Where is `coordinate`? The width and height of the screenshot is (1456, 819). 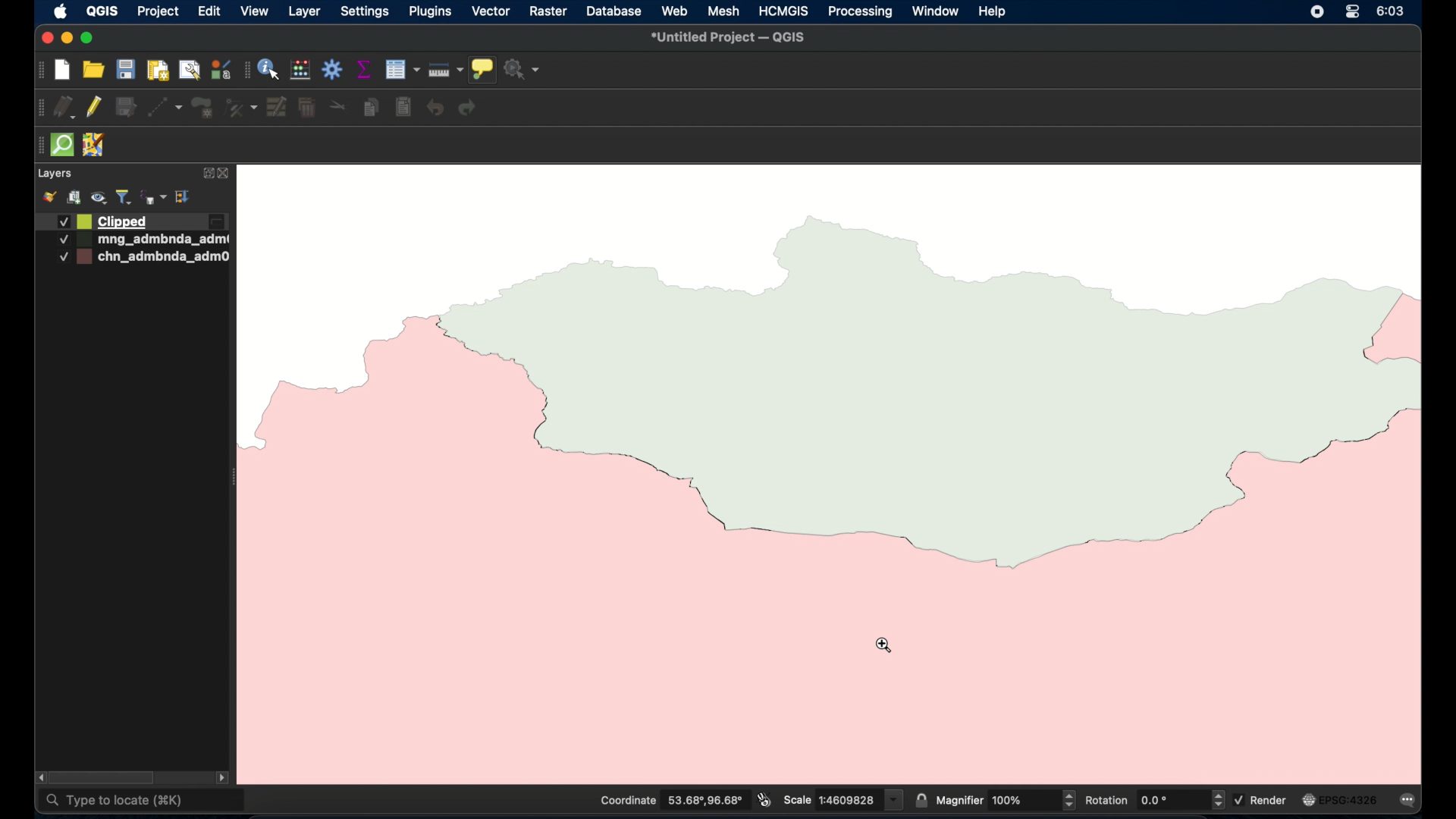 coordinate is located at coordinates (670, 800).